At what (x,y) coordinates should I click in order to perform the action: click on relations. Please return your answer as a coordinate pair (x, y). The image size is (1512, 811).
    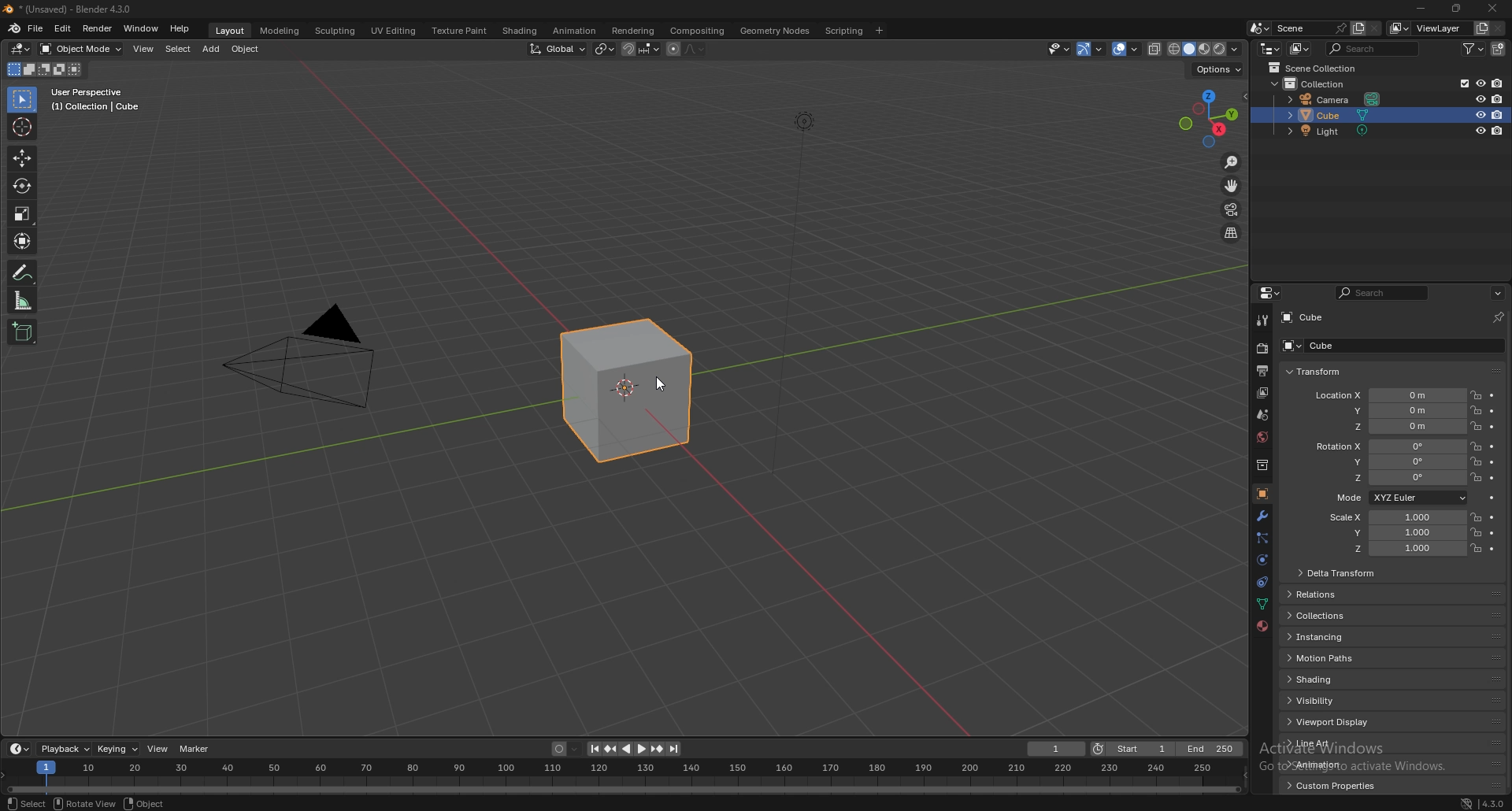
    Looking at the image, I should click on (1340, 594).